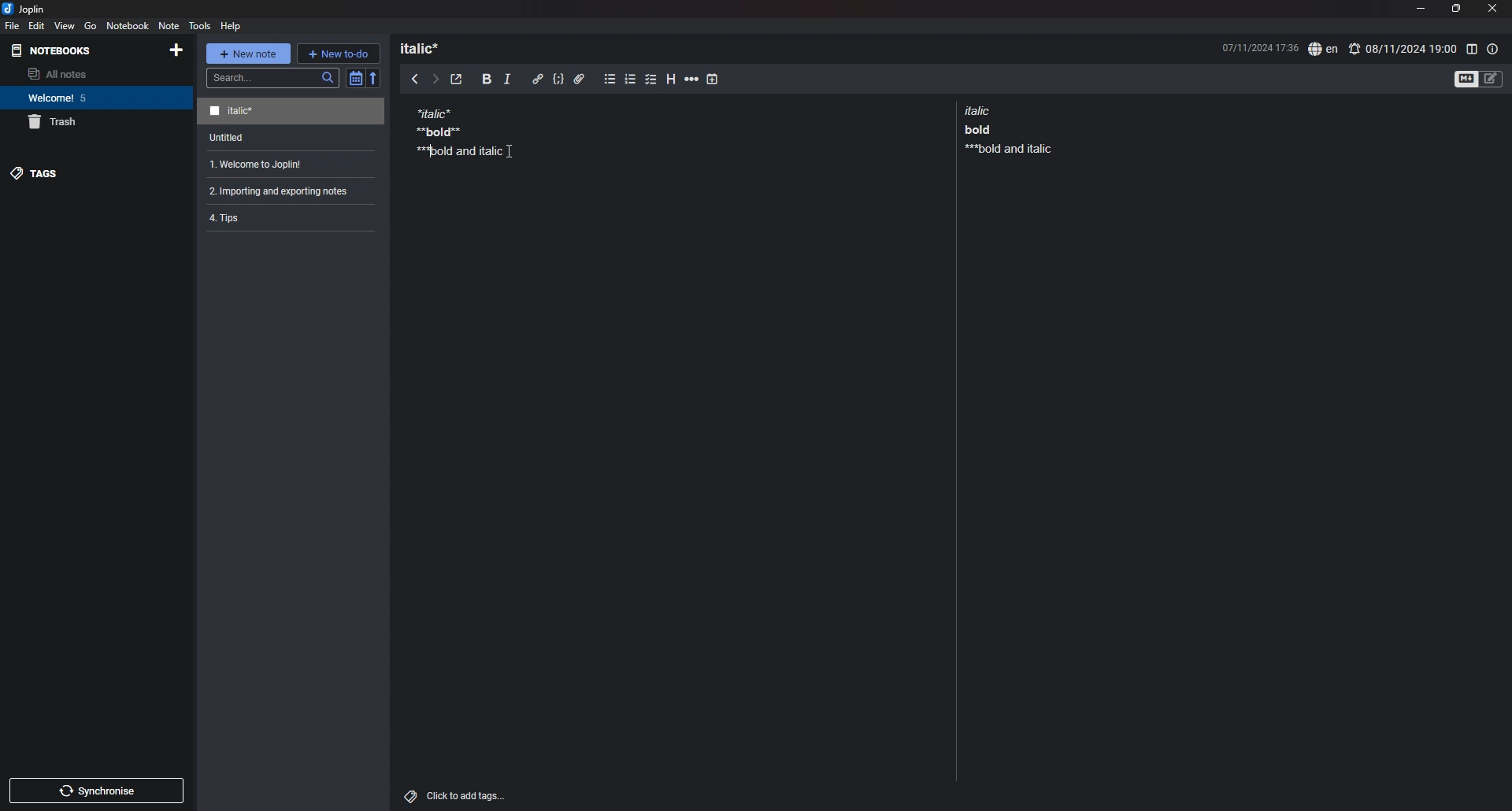  Describe the element at coordinates (374, 77) in the screenshot. I see `reverse sort order` at that location.